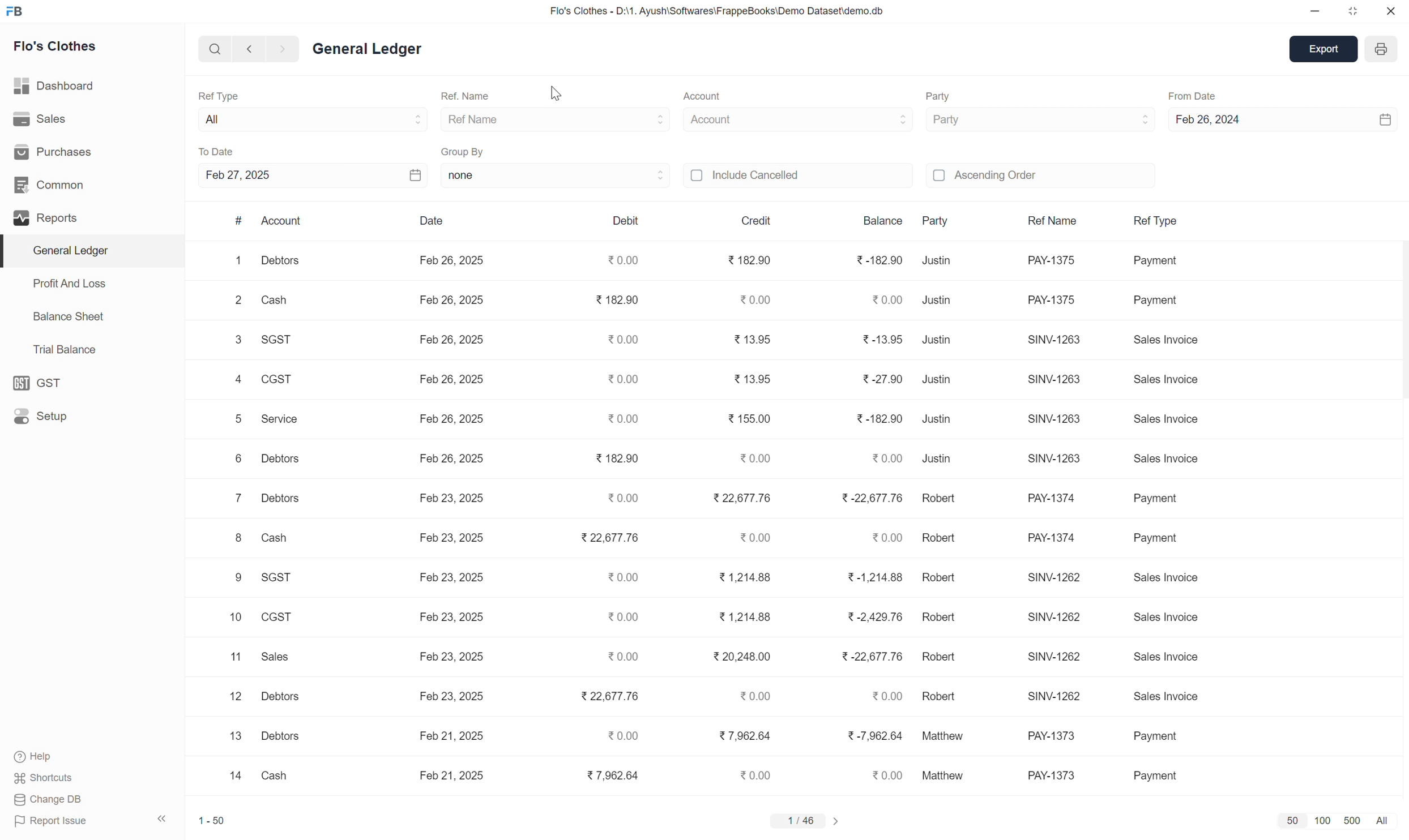  I want to click on purchases, so click(93, 152).